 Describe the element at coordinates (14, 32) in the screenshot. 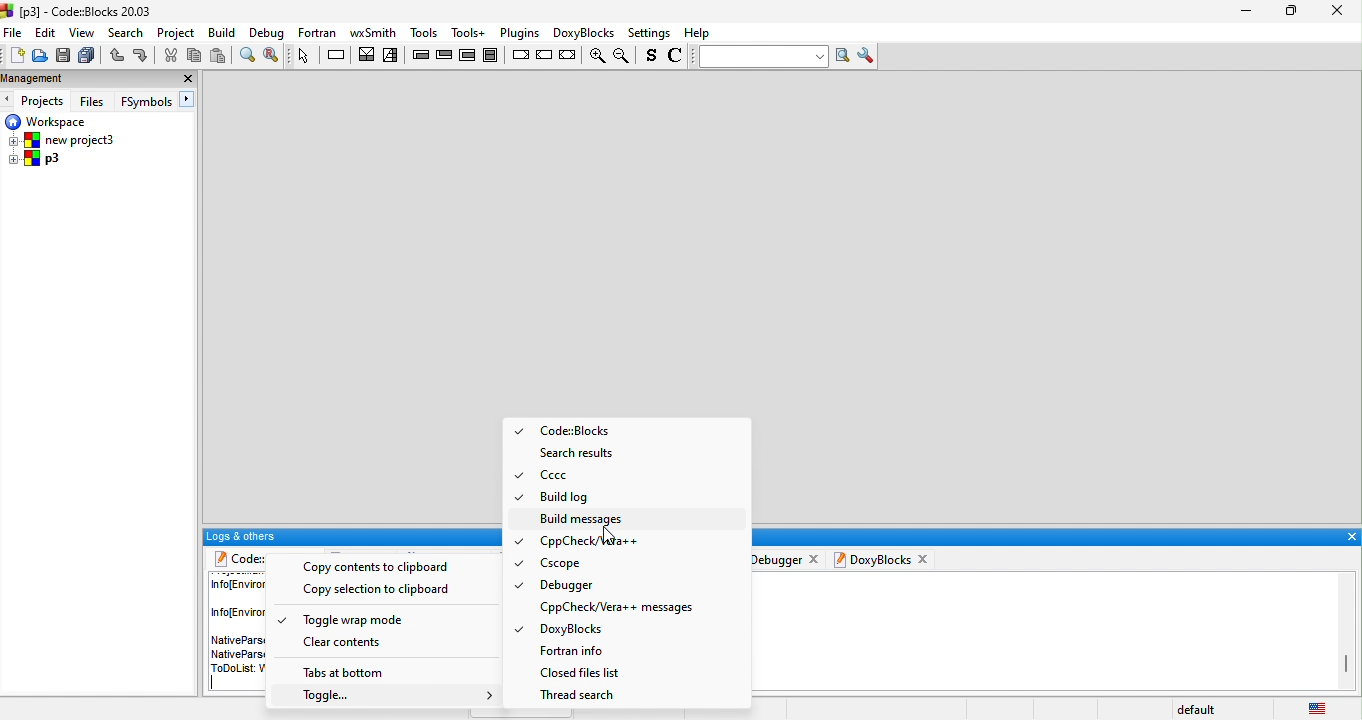

I see `file` at that location.